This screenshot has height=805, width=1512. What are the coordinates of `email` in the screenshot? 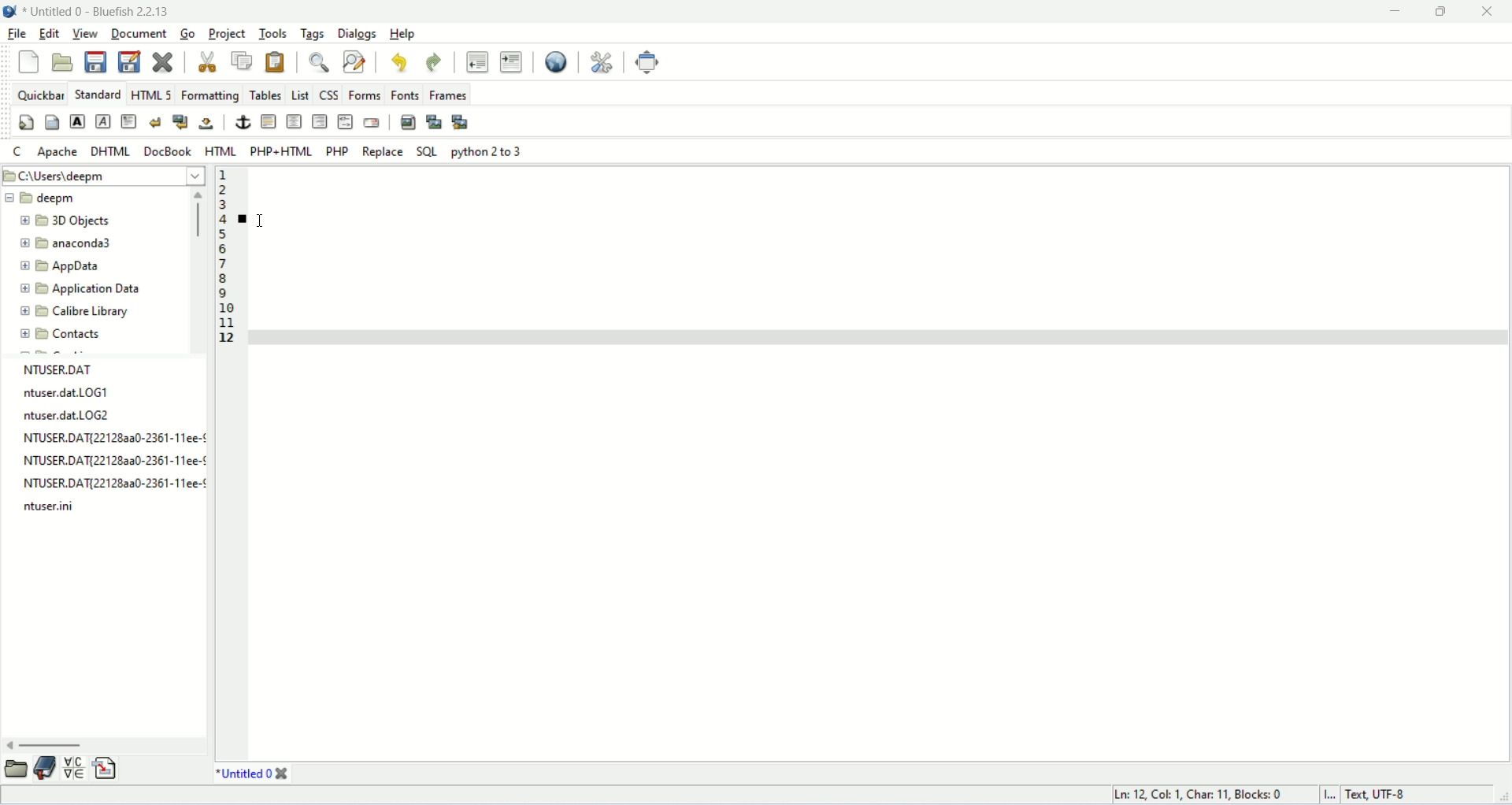 It's located at (370, 121).